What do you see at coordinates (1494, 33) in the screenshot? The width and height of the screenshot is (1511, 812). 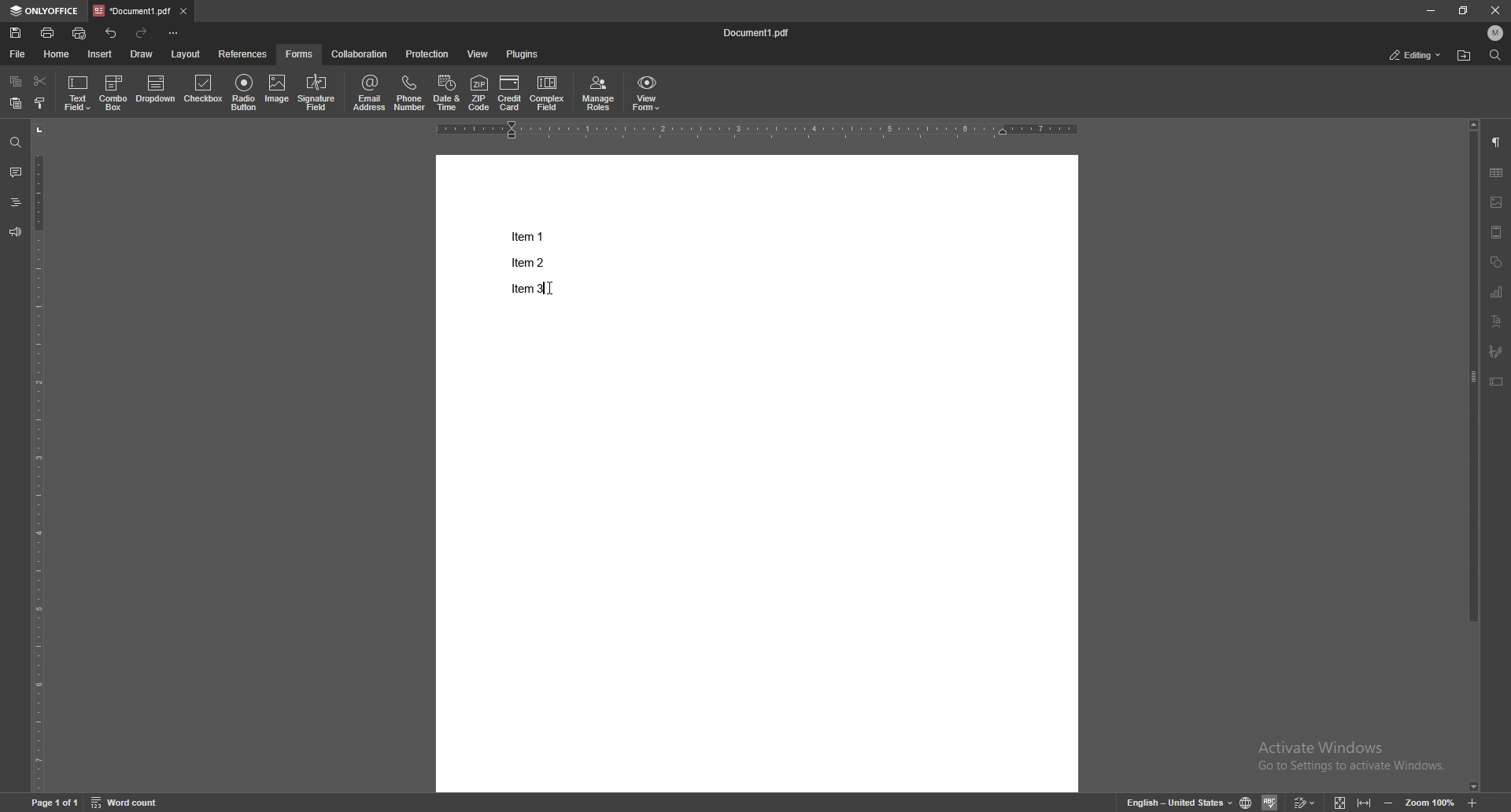 I see `profile` at bounding box center [1494, 33].